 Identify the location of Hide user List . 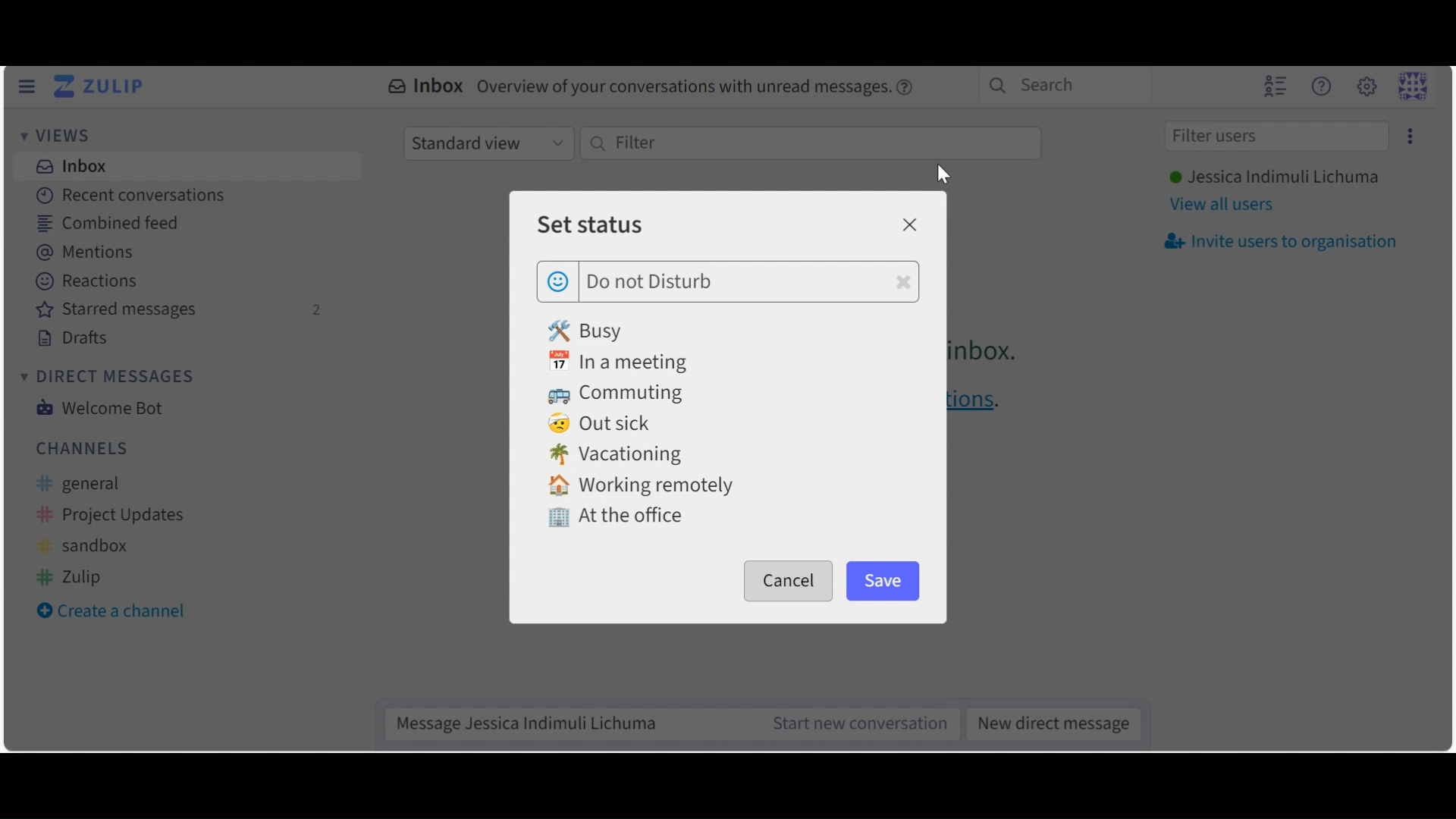
(1275, 85).